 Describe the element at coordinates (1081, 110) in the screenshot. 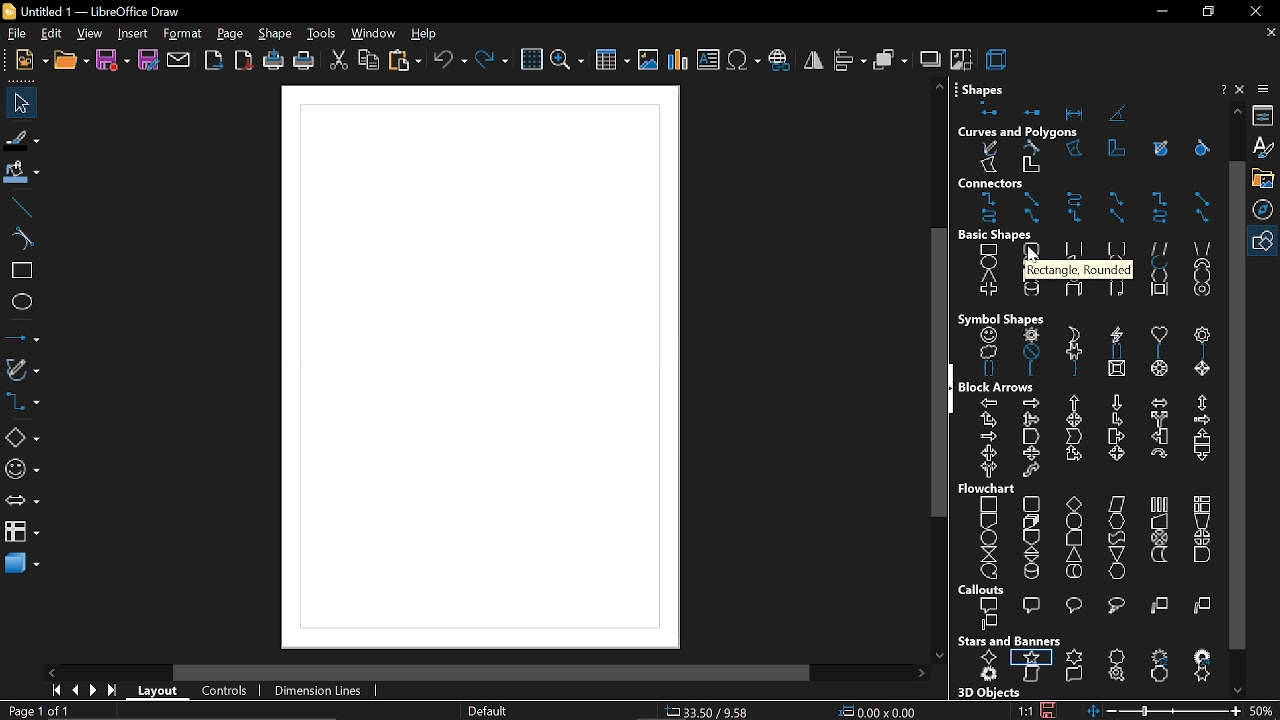

I see `shapes` at that location.